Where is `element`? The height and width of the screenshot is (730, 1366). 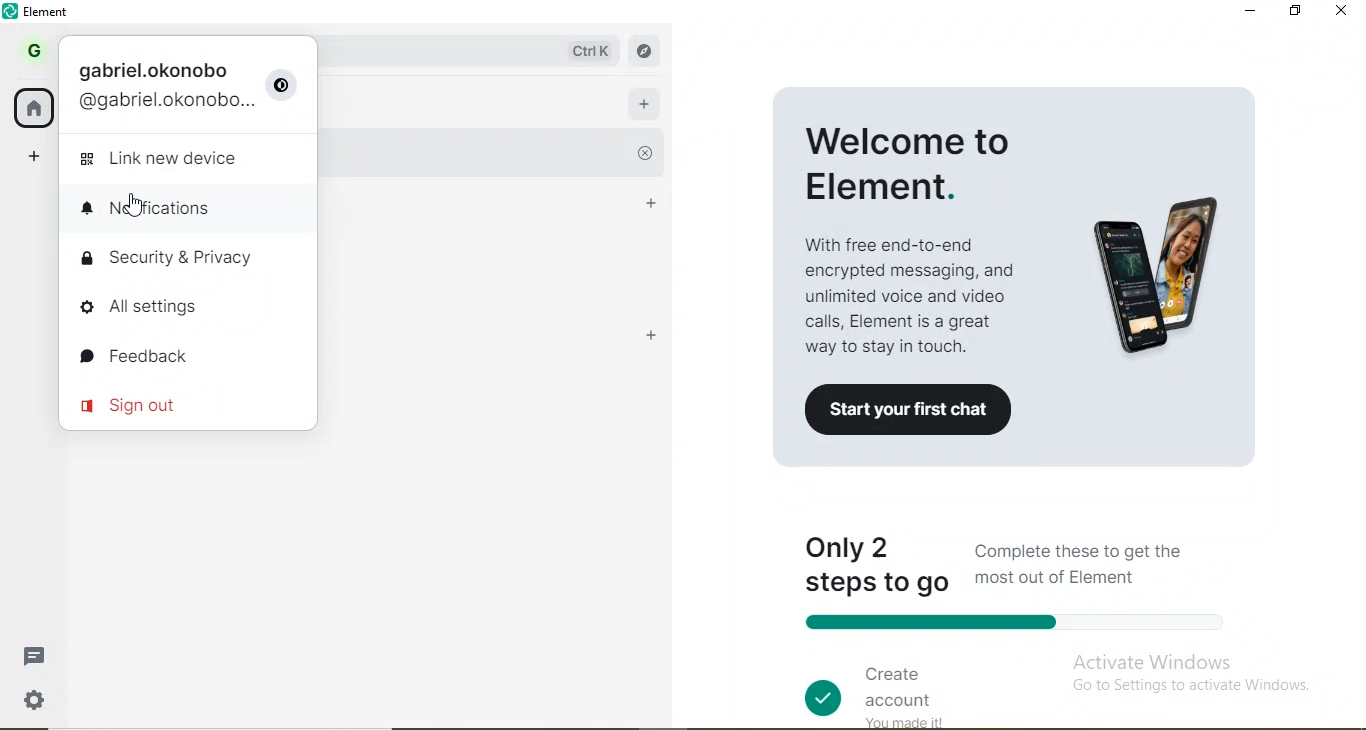
element is located at coordinates (53, 11).